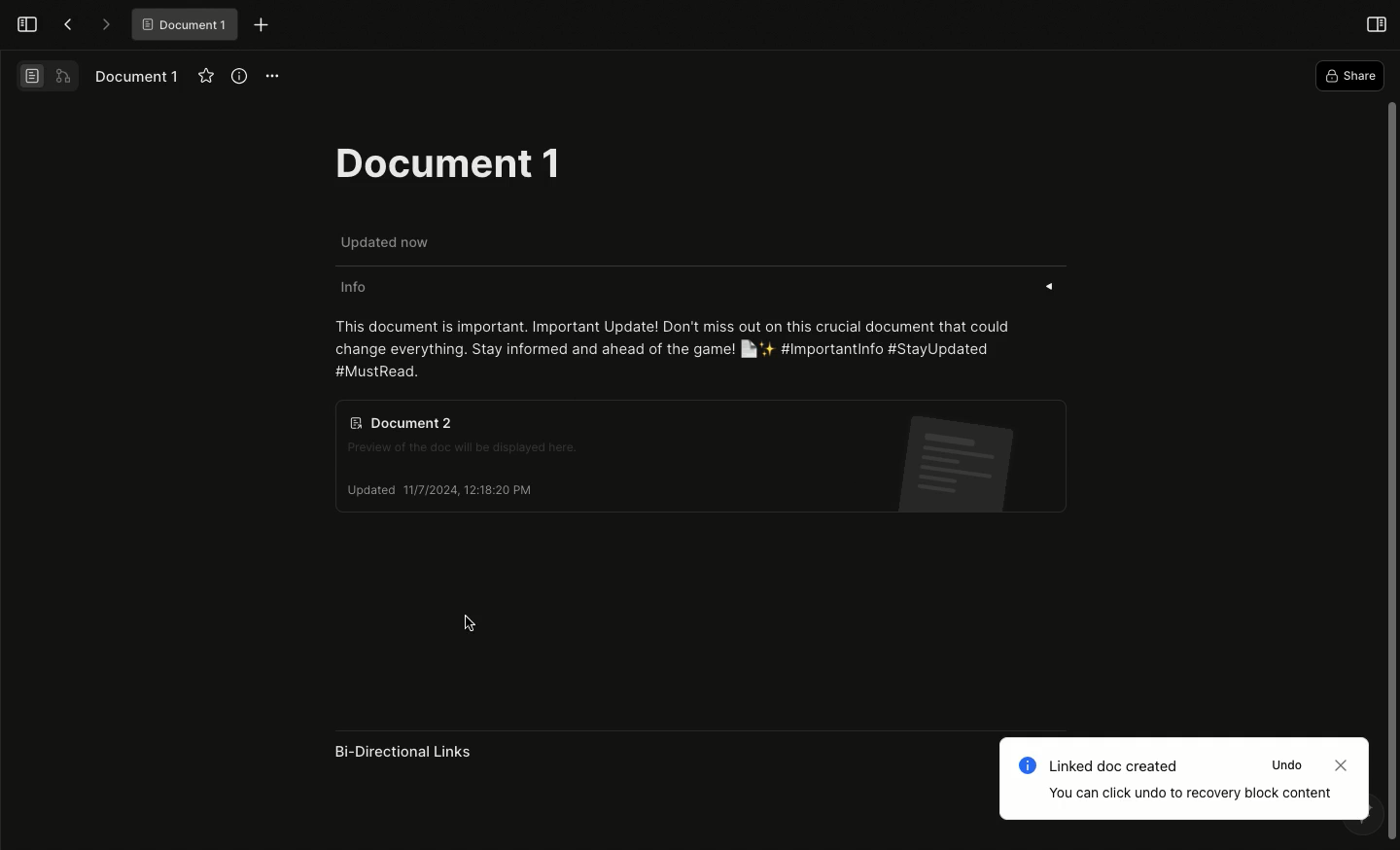 Image resolution: width=1400 pixels, height=850 pixels. Describe the element at coordinates (262, 26) in the screenshot. I see `New tab` at that location.